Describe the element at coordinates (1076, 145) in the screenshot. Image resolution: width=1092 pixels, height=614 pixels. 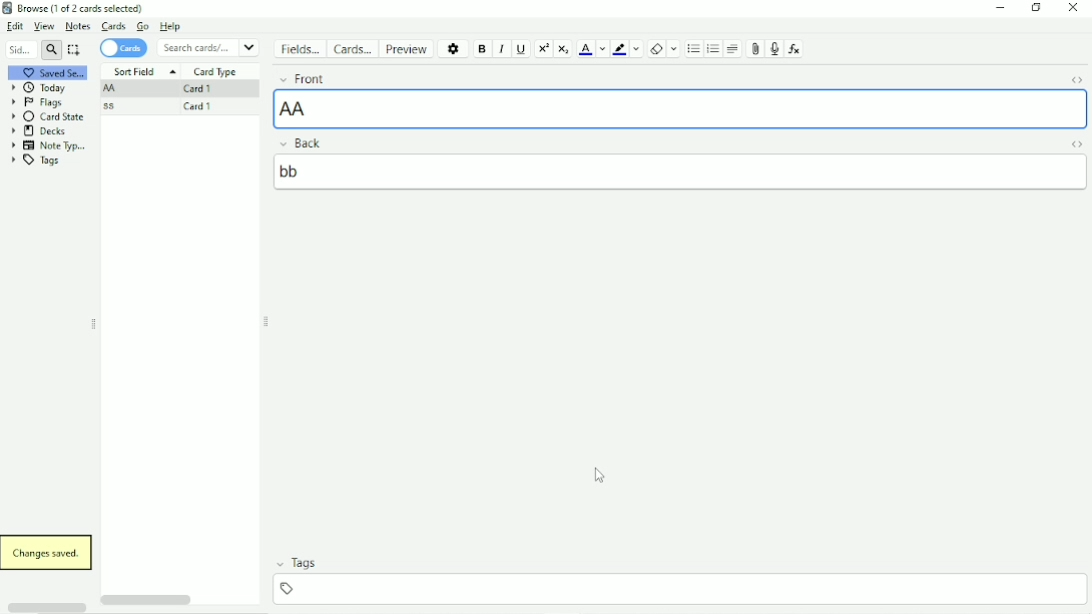
I see `Toggle HTML Editor` at that location.